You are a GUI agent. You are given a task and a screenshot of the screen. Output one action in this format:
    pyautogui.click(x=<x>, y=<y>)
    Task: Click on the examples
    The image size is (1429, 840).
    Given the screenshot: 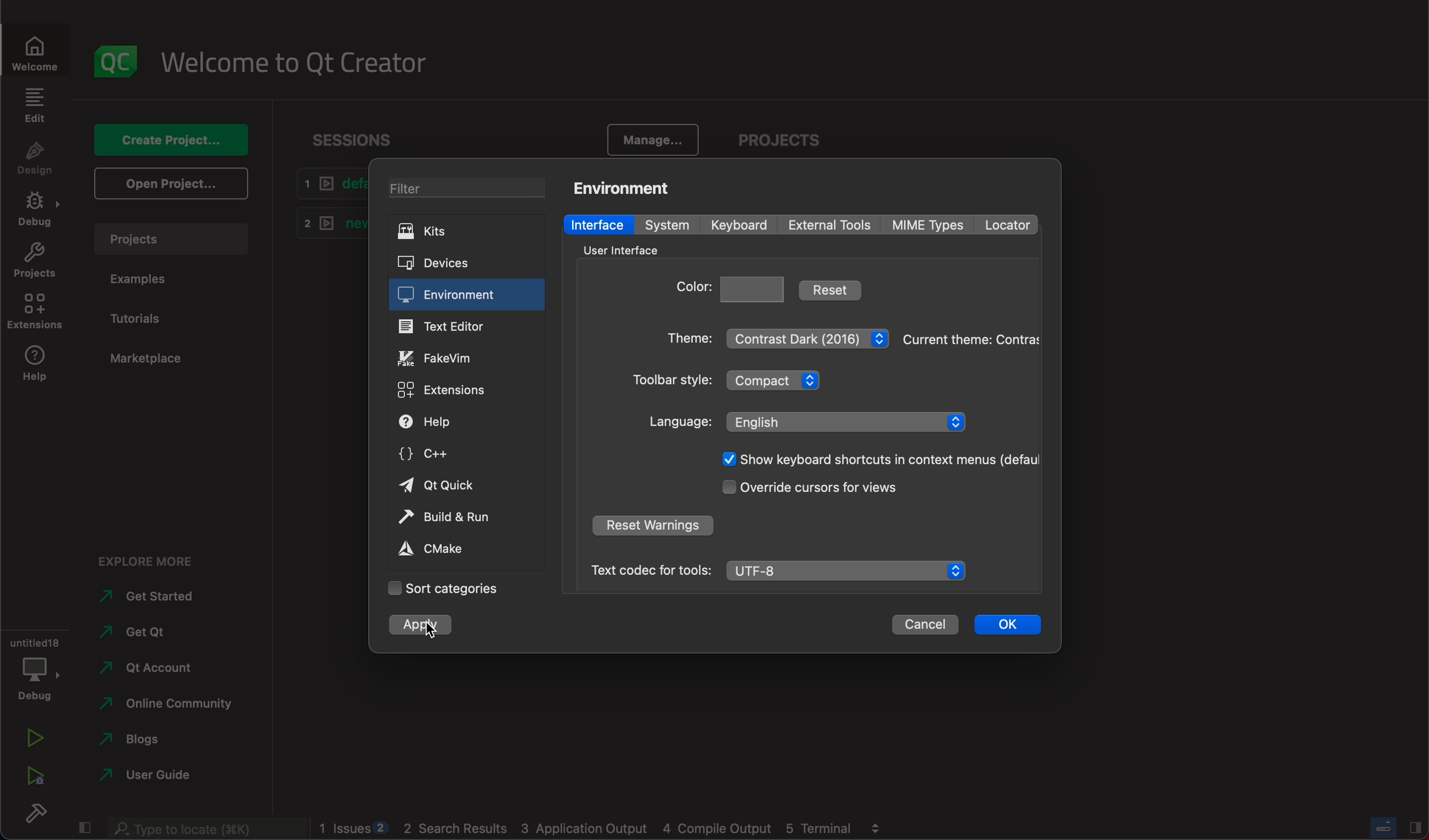 What is the action you would take?
    pyautogui.click(x=144, y=279)
    